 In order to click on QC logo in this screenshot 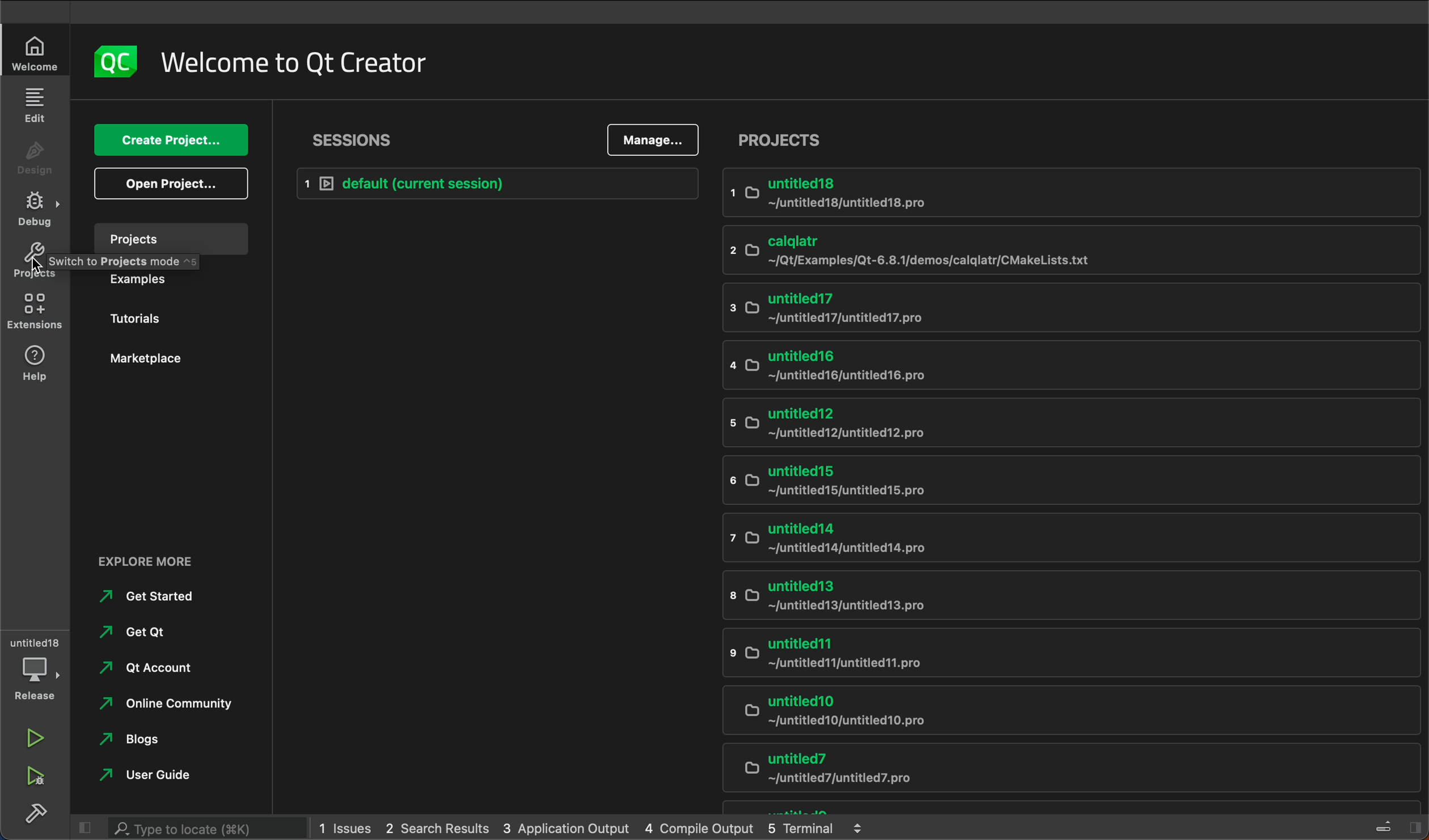, I will do `click(108, 63)`.